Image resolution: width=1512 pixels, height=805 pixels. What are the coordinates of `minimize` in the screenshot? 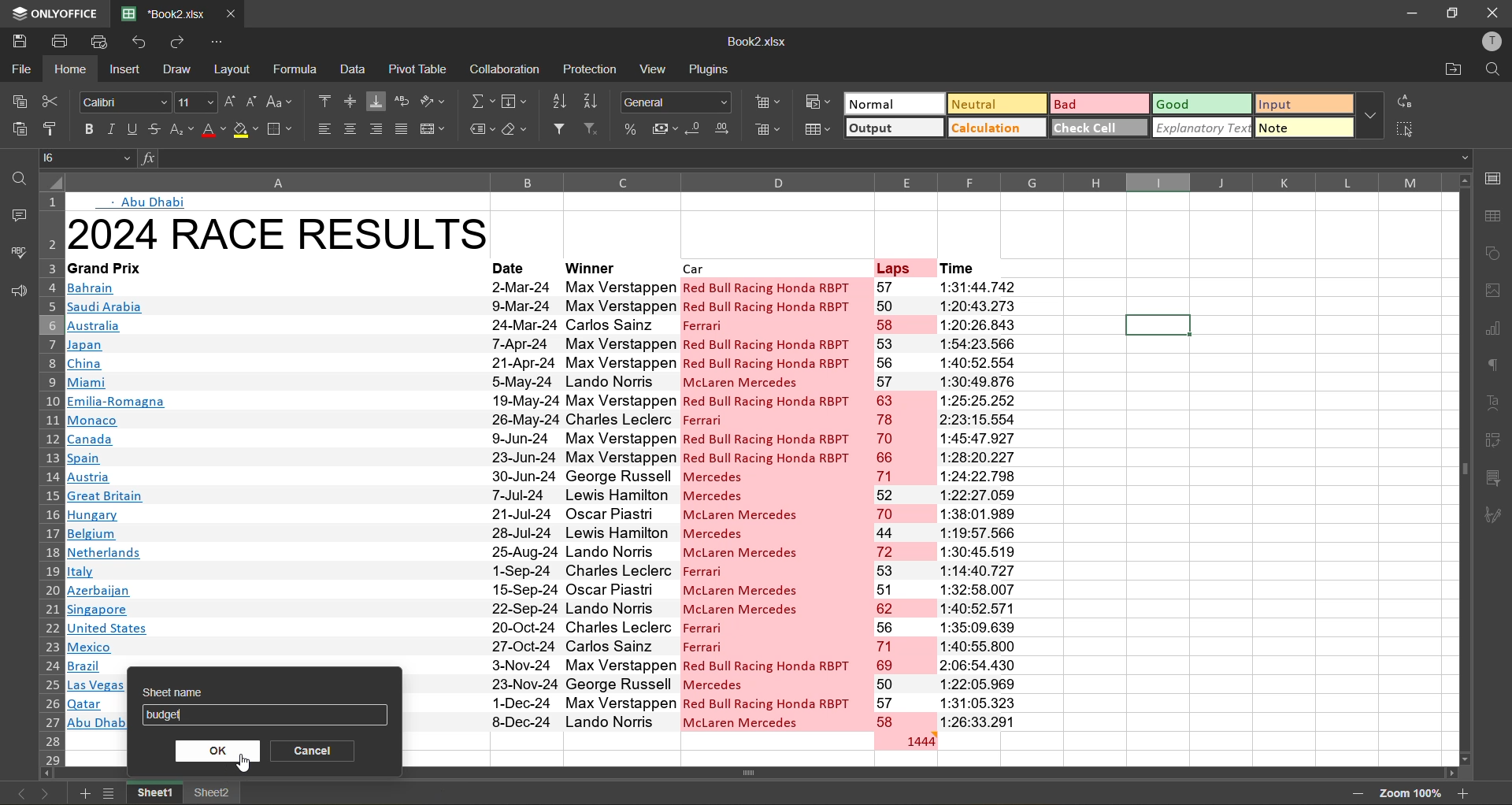 It's located at (1406, 14).